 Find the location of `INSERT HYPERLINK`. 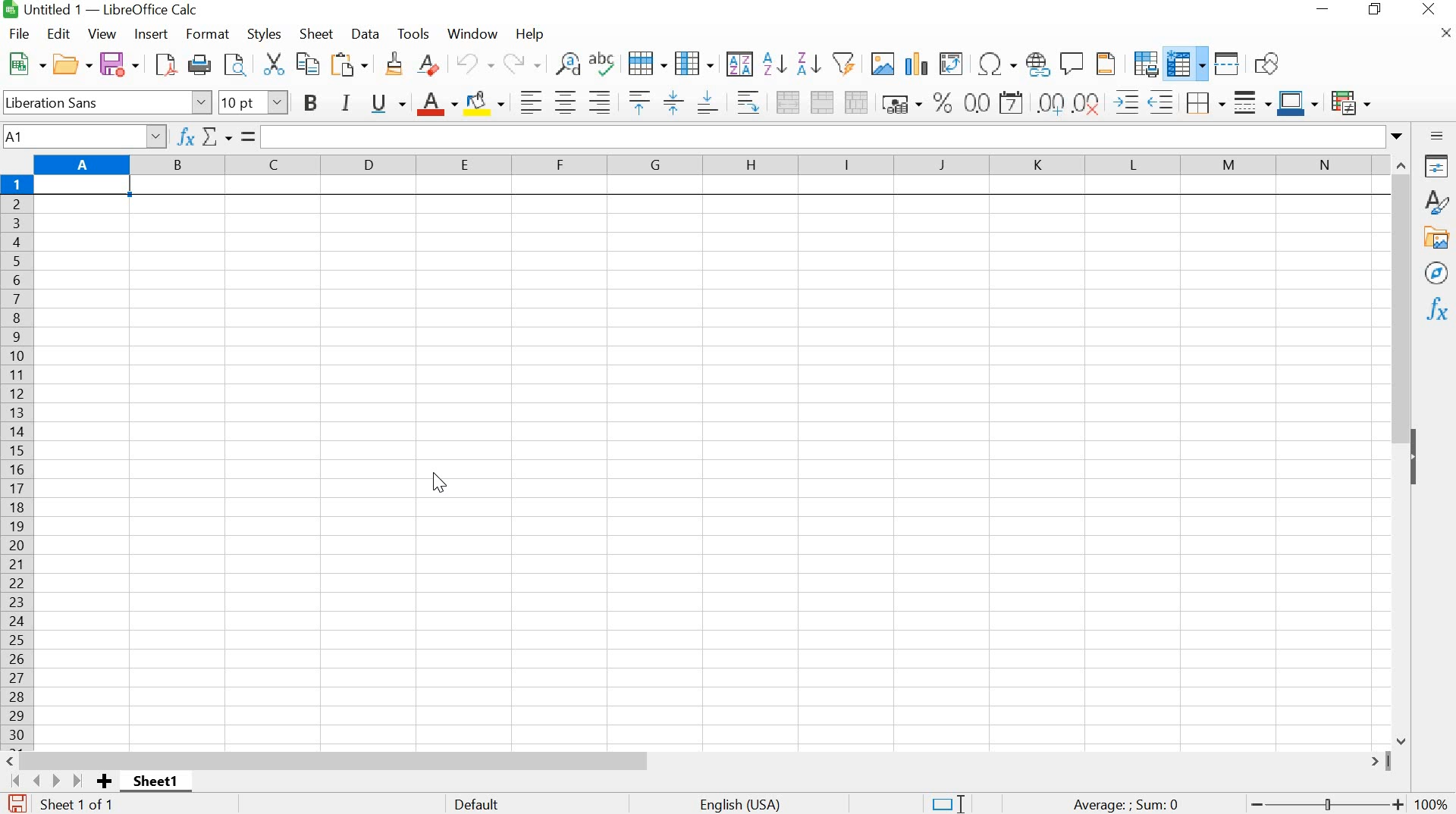

INSERT HYPERLINK is located at coordinates (1038, 64).